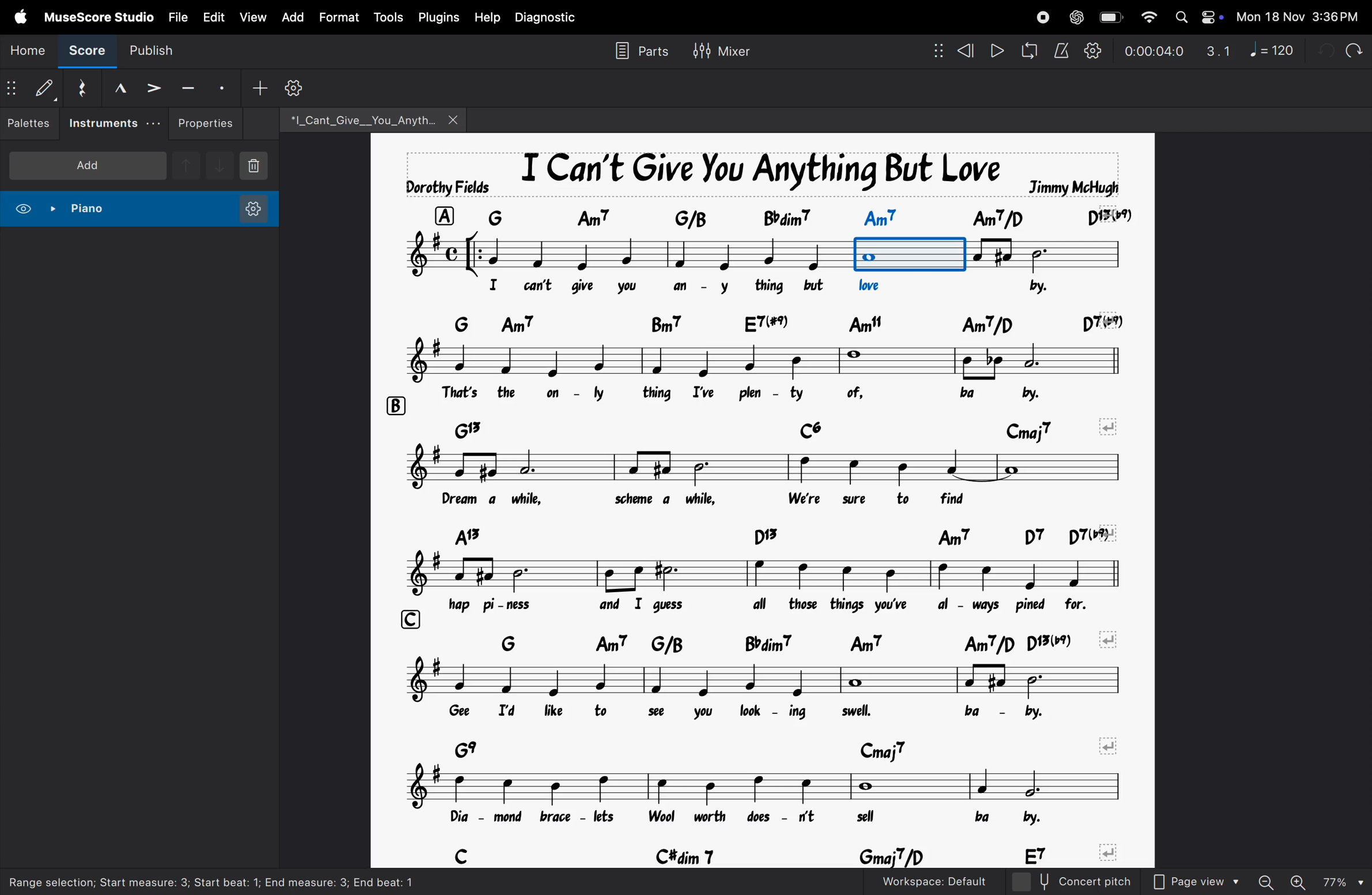 The image size is (1372, 895). What do you see at coordinates (82, 52) in the screenshot?
I see `score` at bounding box center [82, 52].